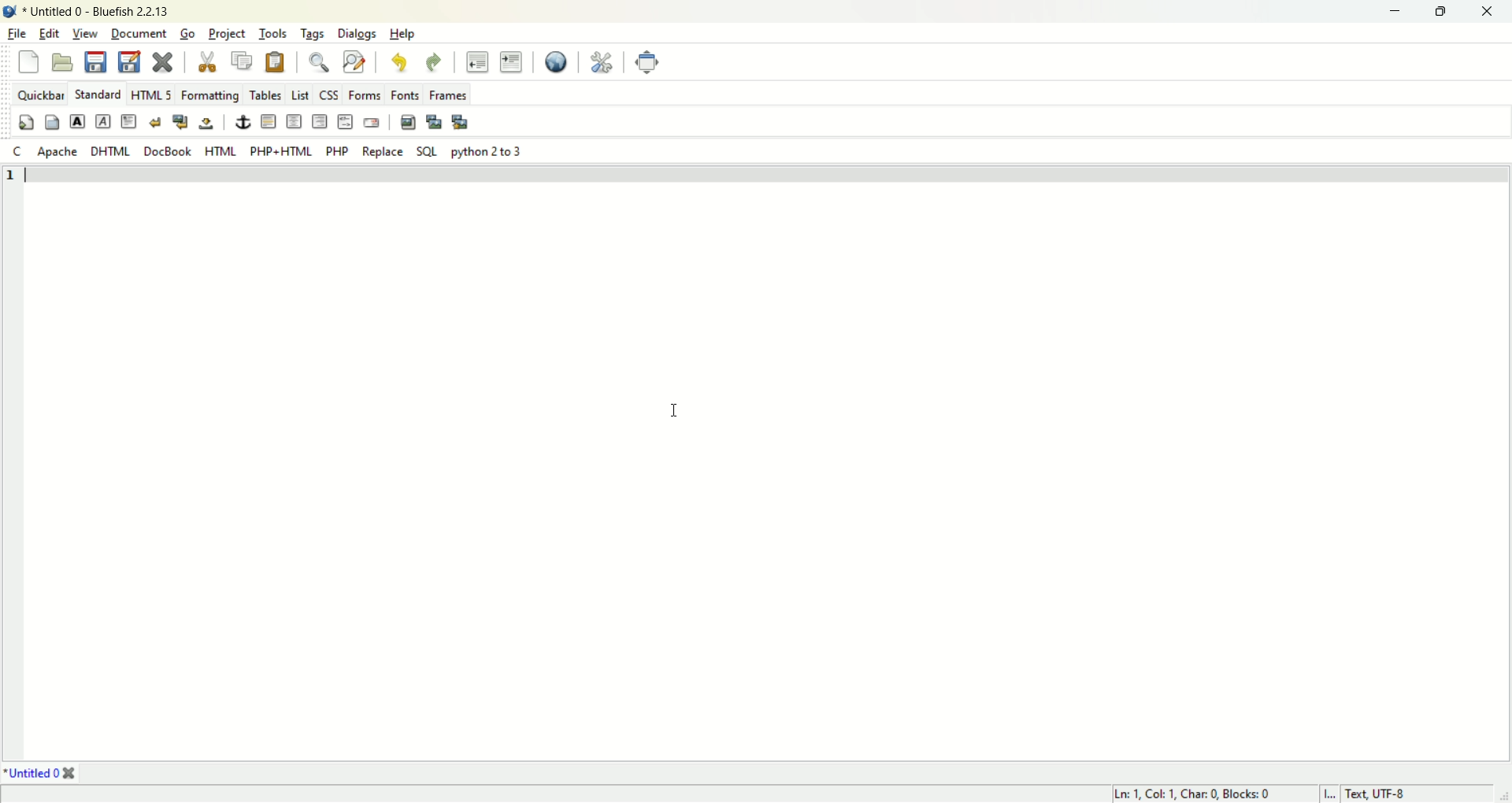 The height and width of the screenshot is (803, 1512). I want to click on right justify, so click(321, 121).